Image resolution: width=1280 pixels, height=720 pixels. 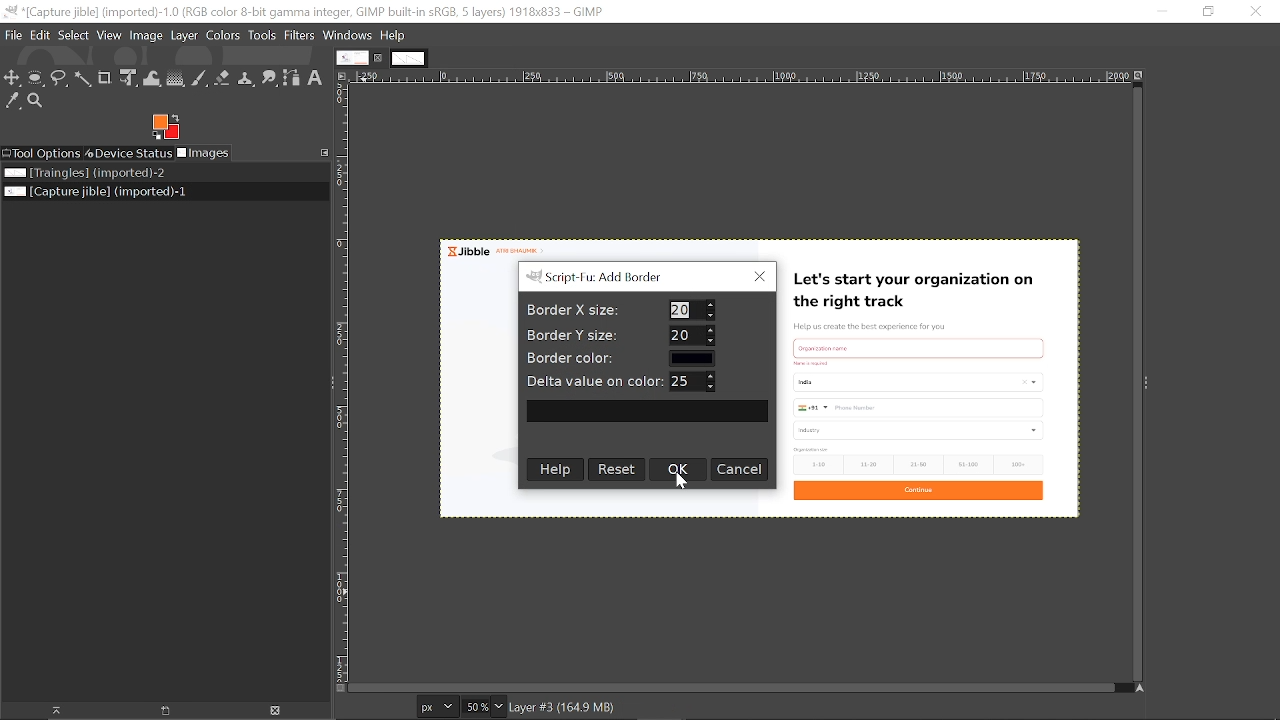 What do you see at coordinates (42, 153) in the screenshot?
I see `Tool options` at bounding box center [42, 153].